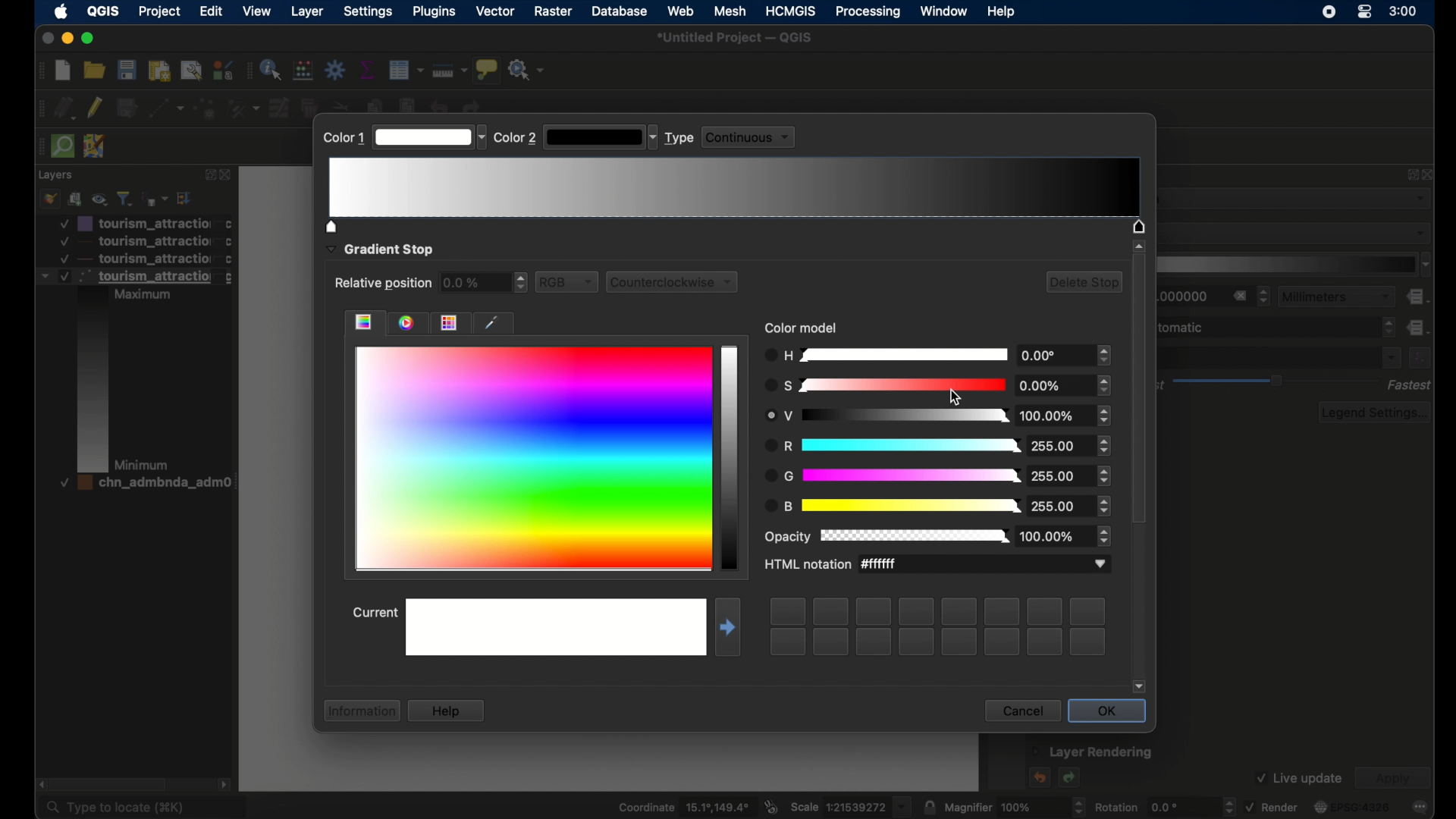  What do you see at coordinates (168, 108) in the screenshot?
I see `digitize with segment` at bounding box center [168, 108].